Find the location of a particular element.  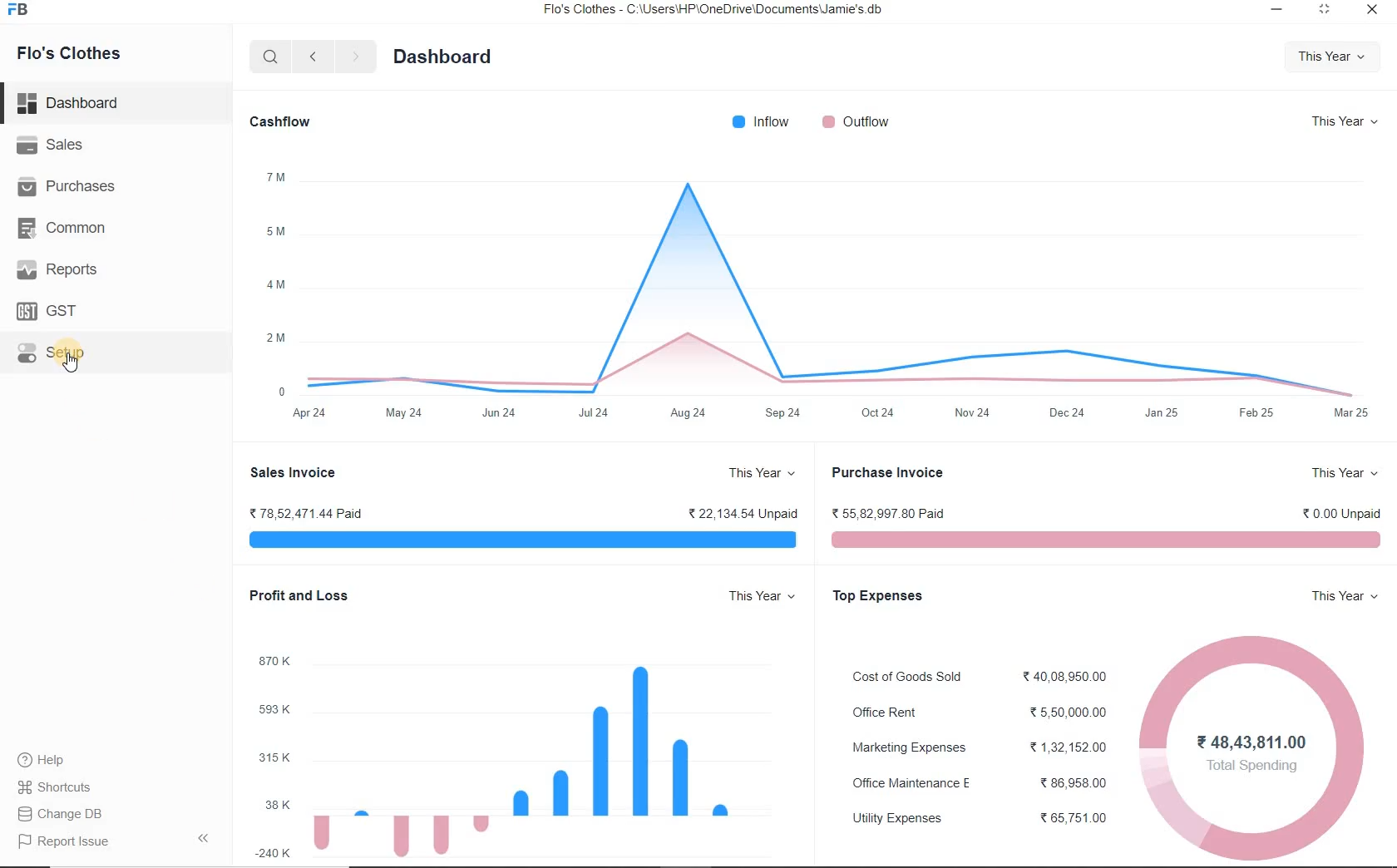

Sales Invoice is located at coordinates (522, 541).